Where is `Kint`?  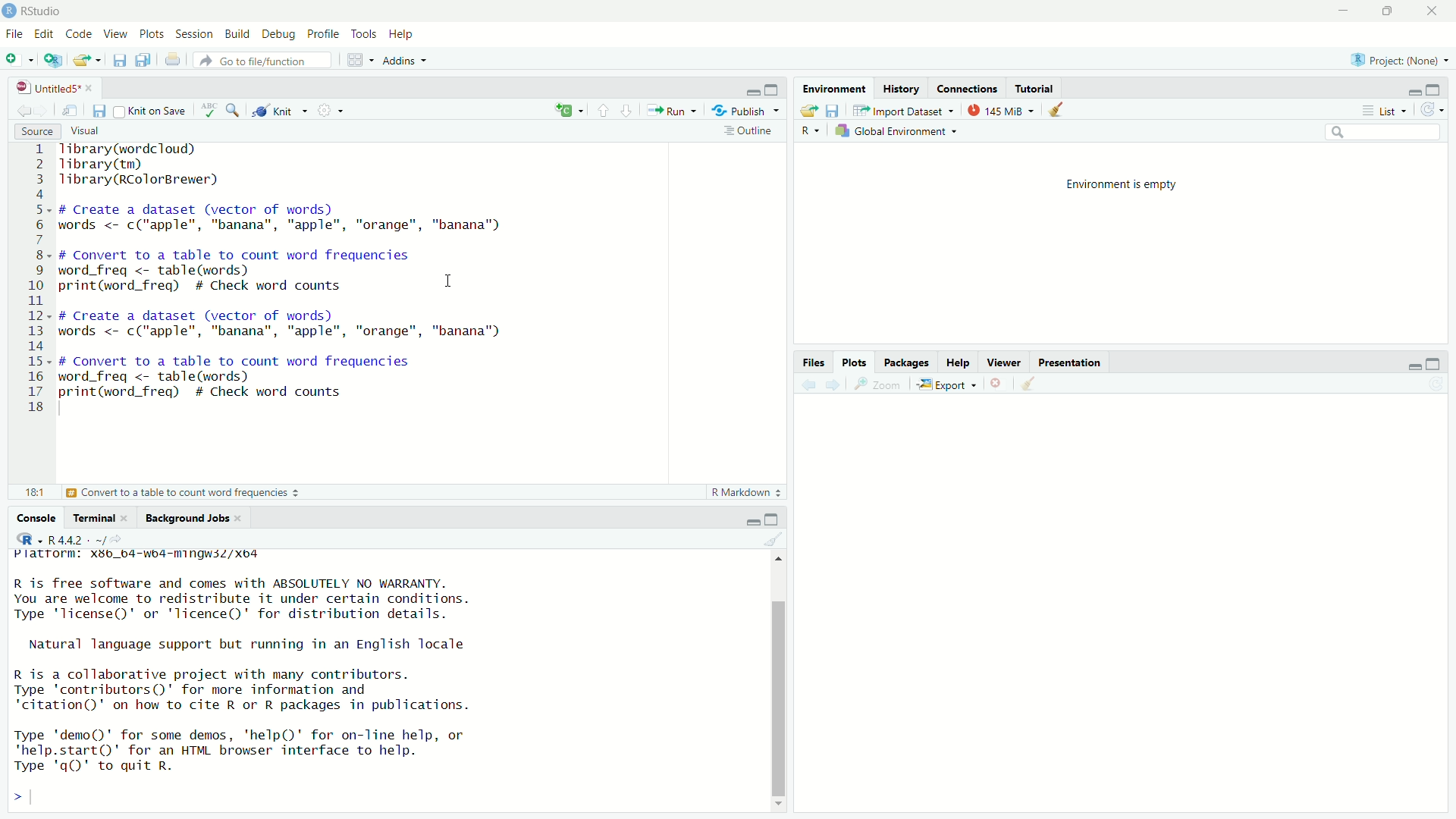
Kint is located at coordinates (279, 108).